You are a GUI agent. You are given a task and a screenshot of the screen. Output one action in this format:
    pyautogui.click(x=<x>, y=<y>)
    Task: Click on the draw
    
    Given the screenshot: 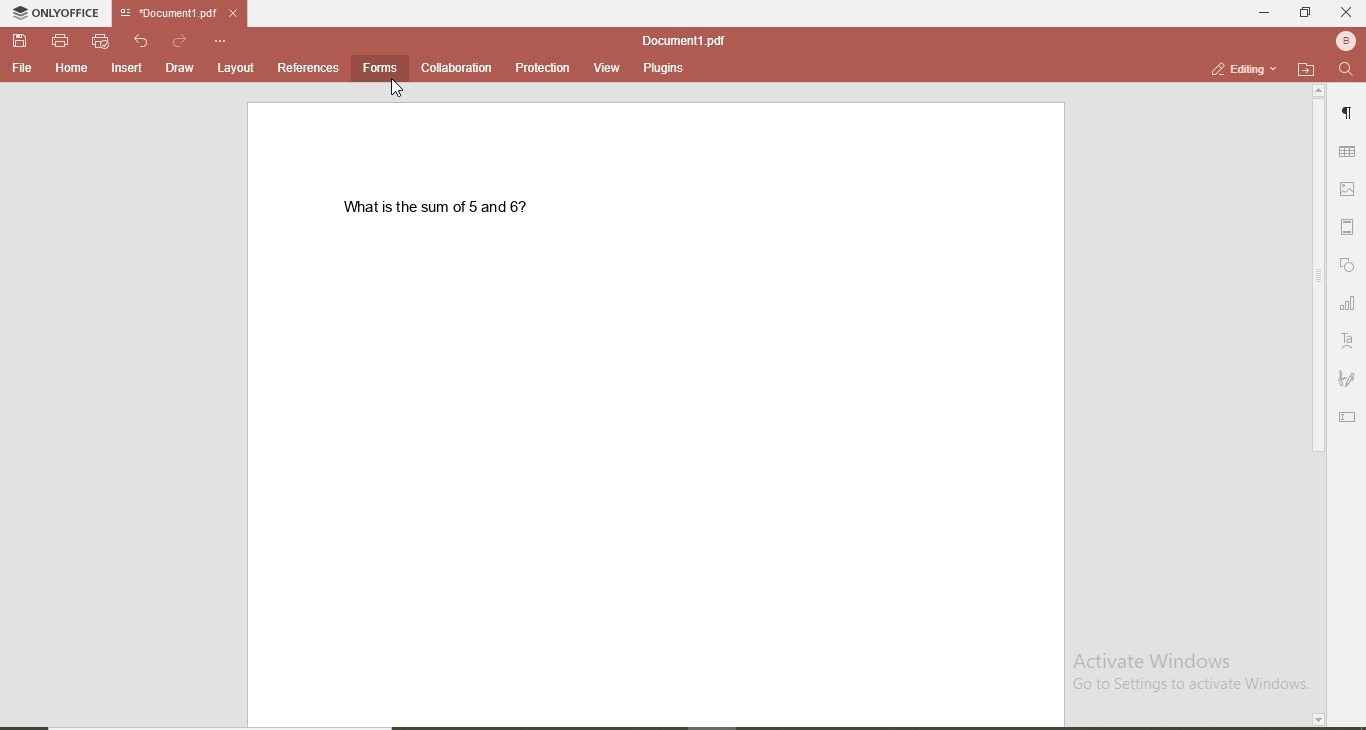 What is the action you would take?
    pyautogui.click(x=178, y=70)
    